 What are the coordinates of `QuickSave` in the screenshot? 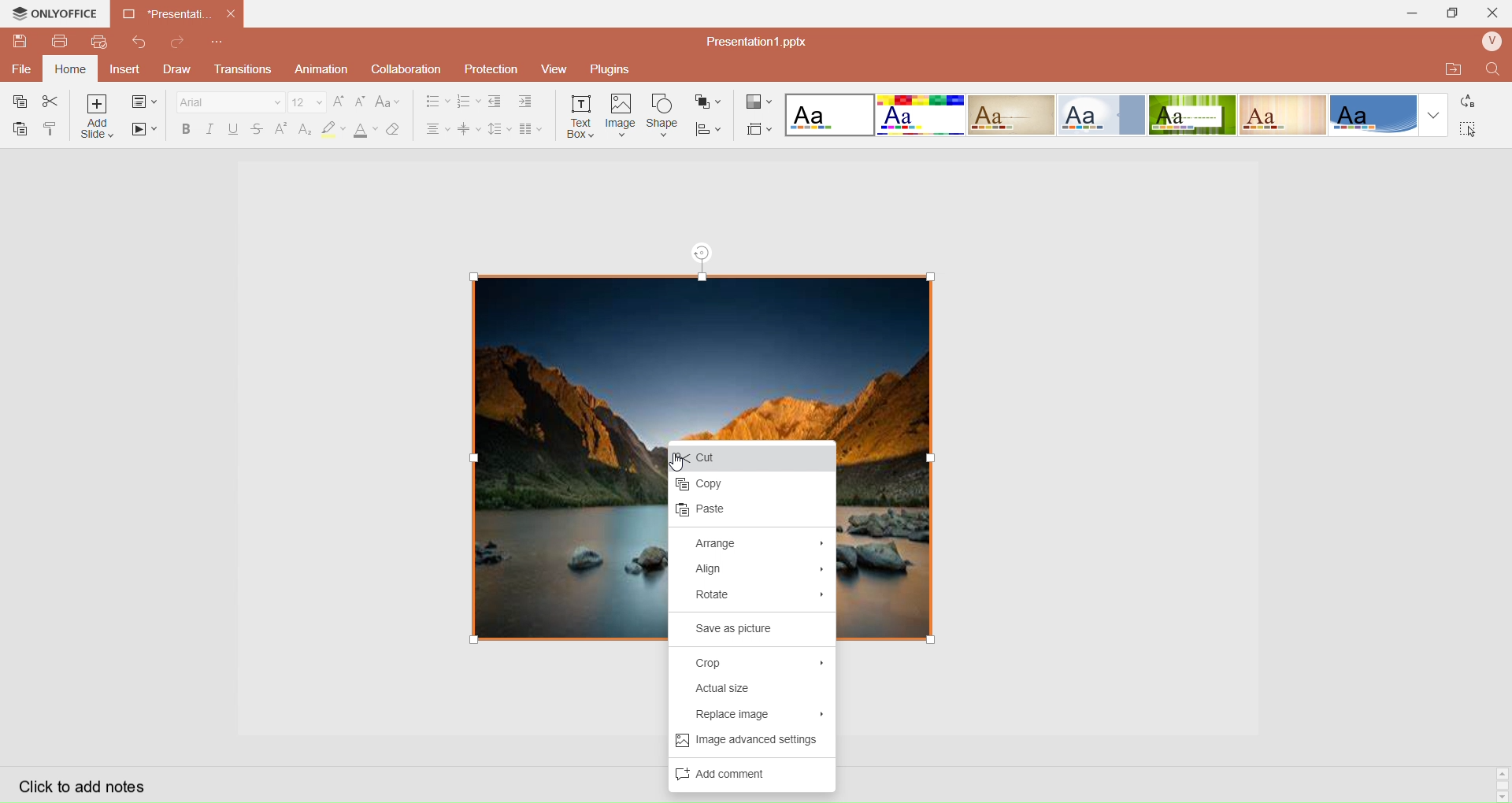 It's located at (21, 41).